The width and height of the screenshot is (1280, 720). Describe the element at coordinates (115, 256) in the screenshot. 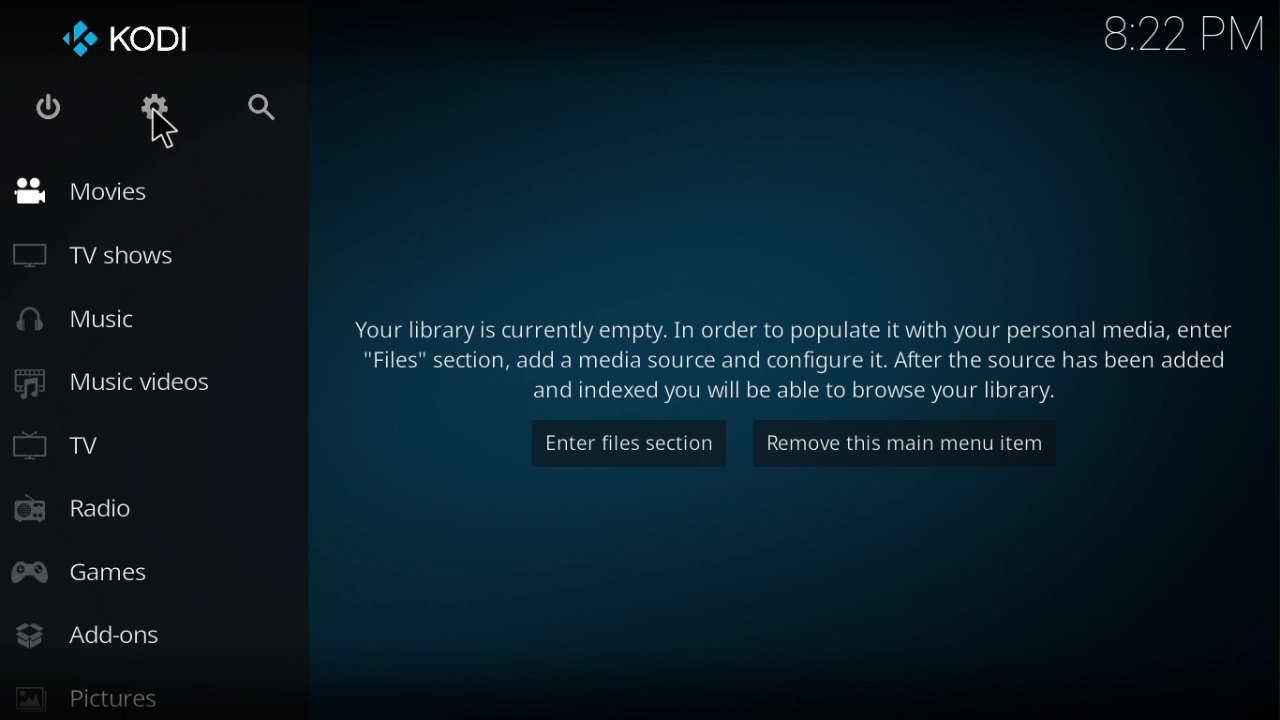

I see `tv shows` at that location.